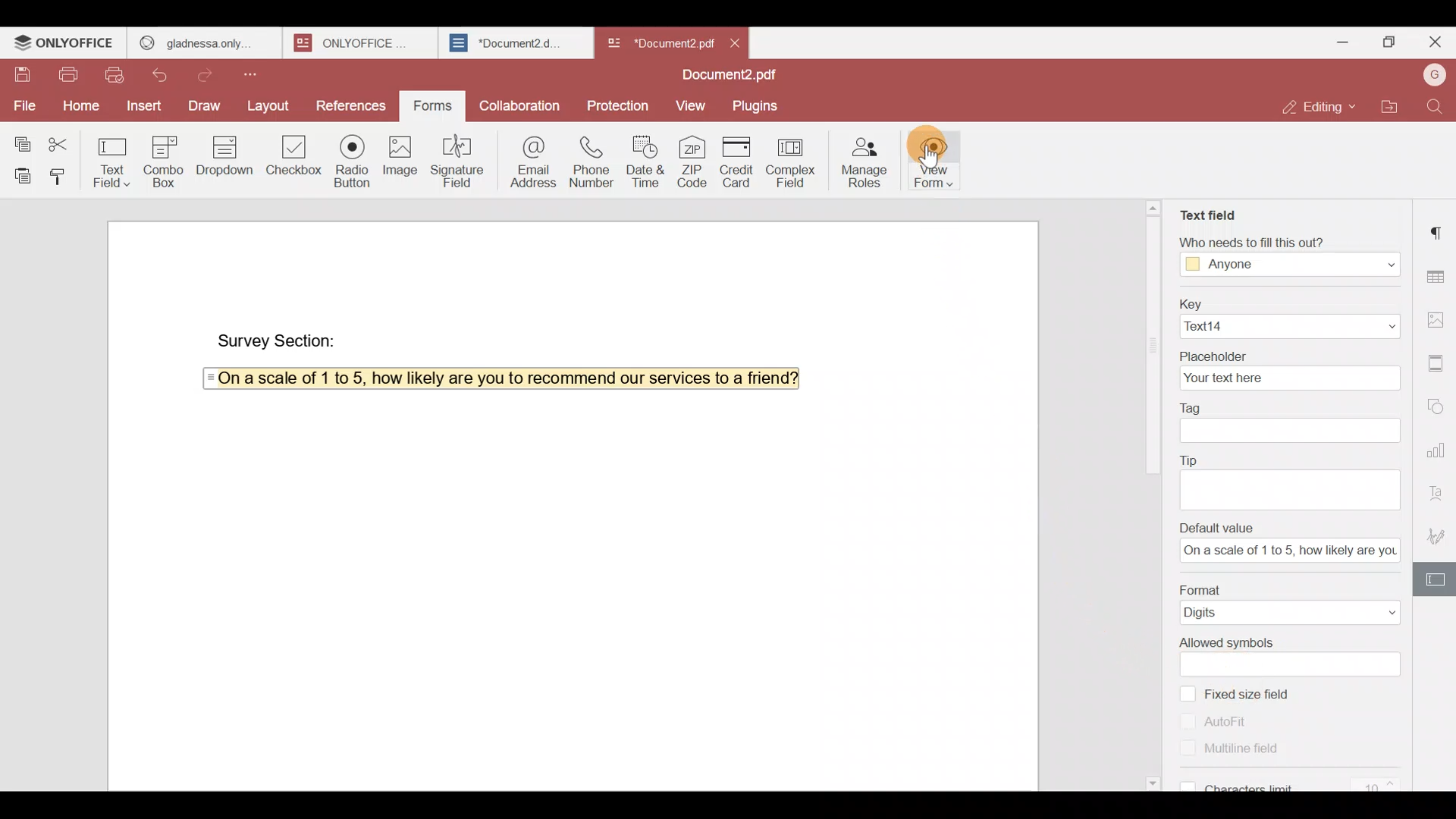 This screenshot has height=819, width=1456. Describe the element at coordinates (144, 109) in the screenshot. I see `Insert` at that location.